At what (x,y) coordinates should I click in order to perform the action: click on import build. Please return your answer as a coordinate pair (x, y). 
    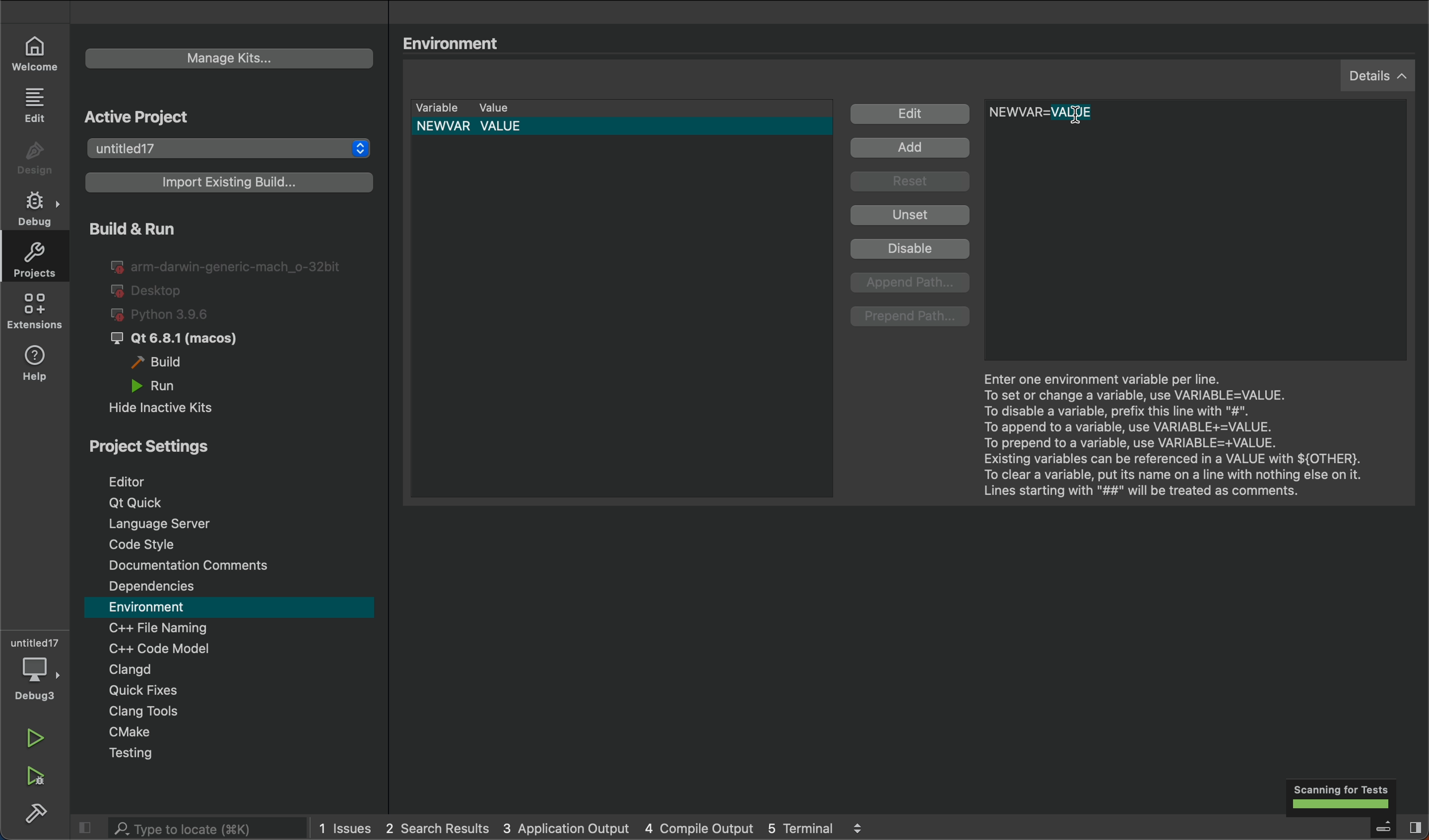
    Looking at the image, I should click on (226, 187).